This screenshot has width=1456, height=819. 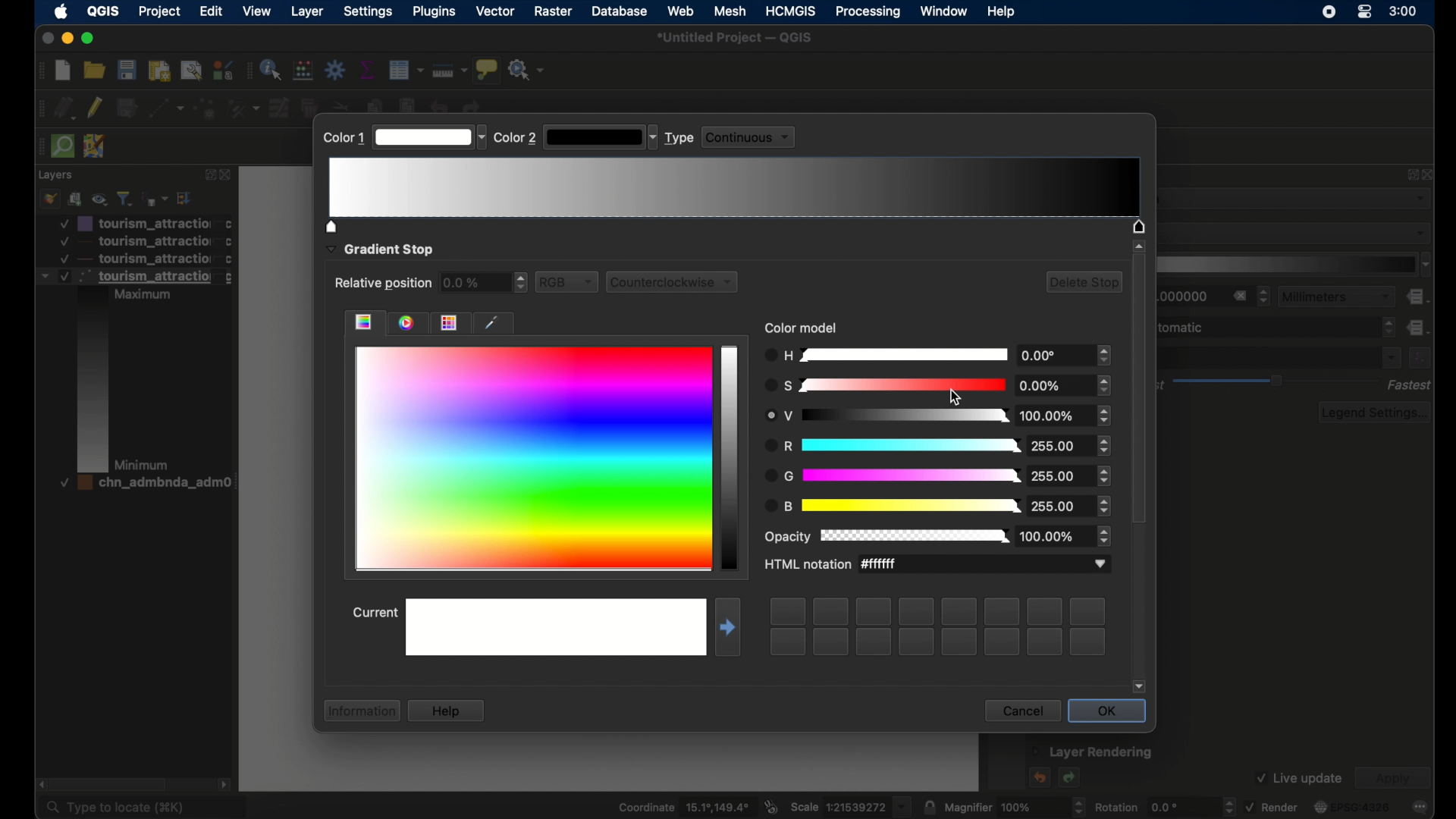 I want to click on identify features, so click(x=271, y=71).